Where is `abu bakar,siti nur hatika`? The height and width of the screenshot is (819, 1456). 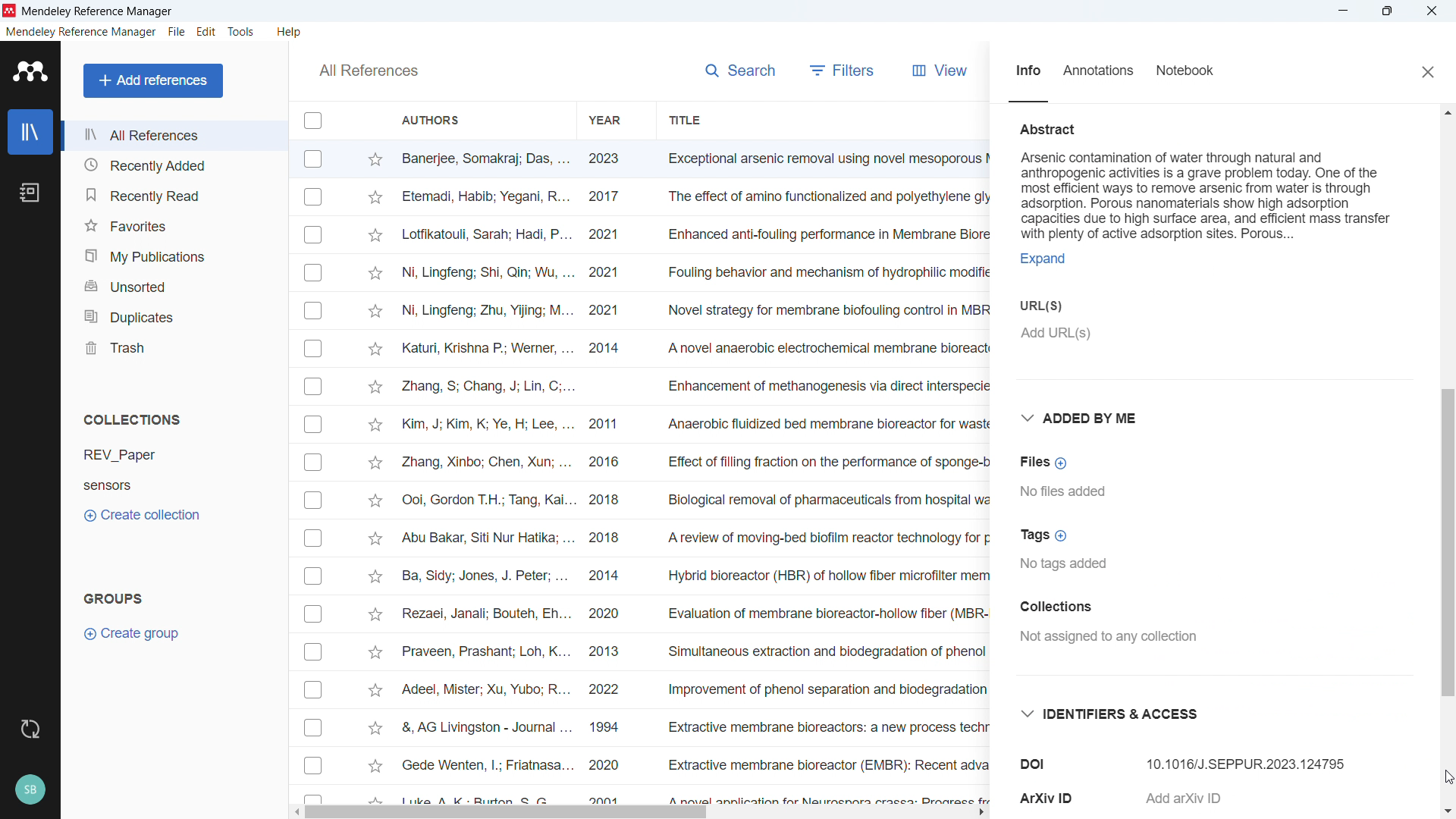
abu bakar,siti nur hatika is located at coordinates (477, 539).